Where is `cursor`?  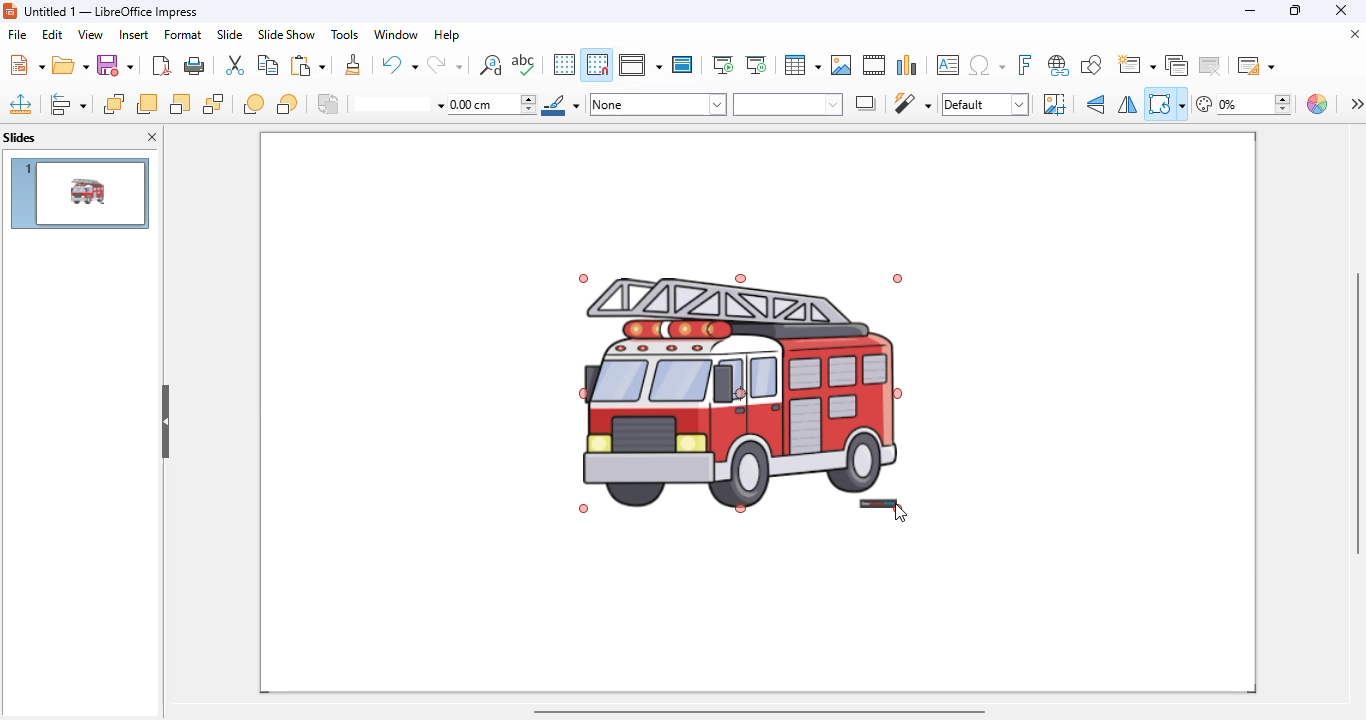
cursor is located at coordinates (901, 514).